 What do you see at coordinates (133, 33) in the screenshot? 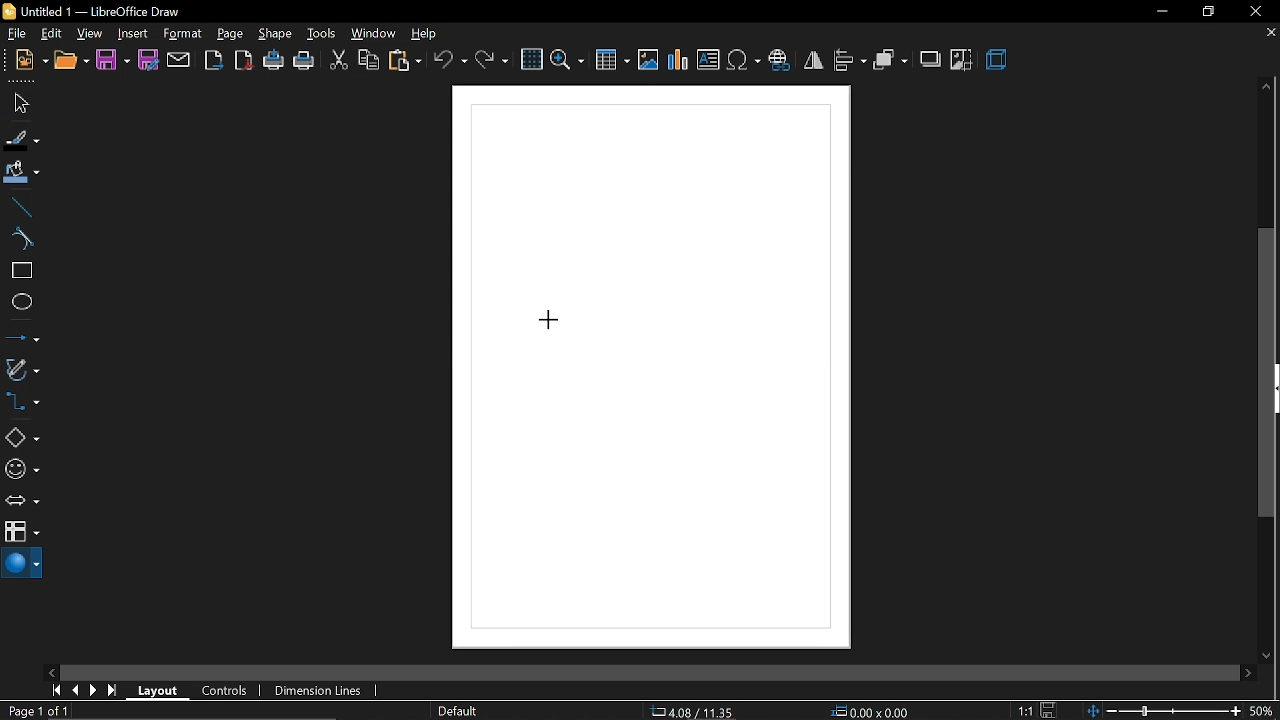
I see `insert` at bounding box center [133, 33].